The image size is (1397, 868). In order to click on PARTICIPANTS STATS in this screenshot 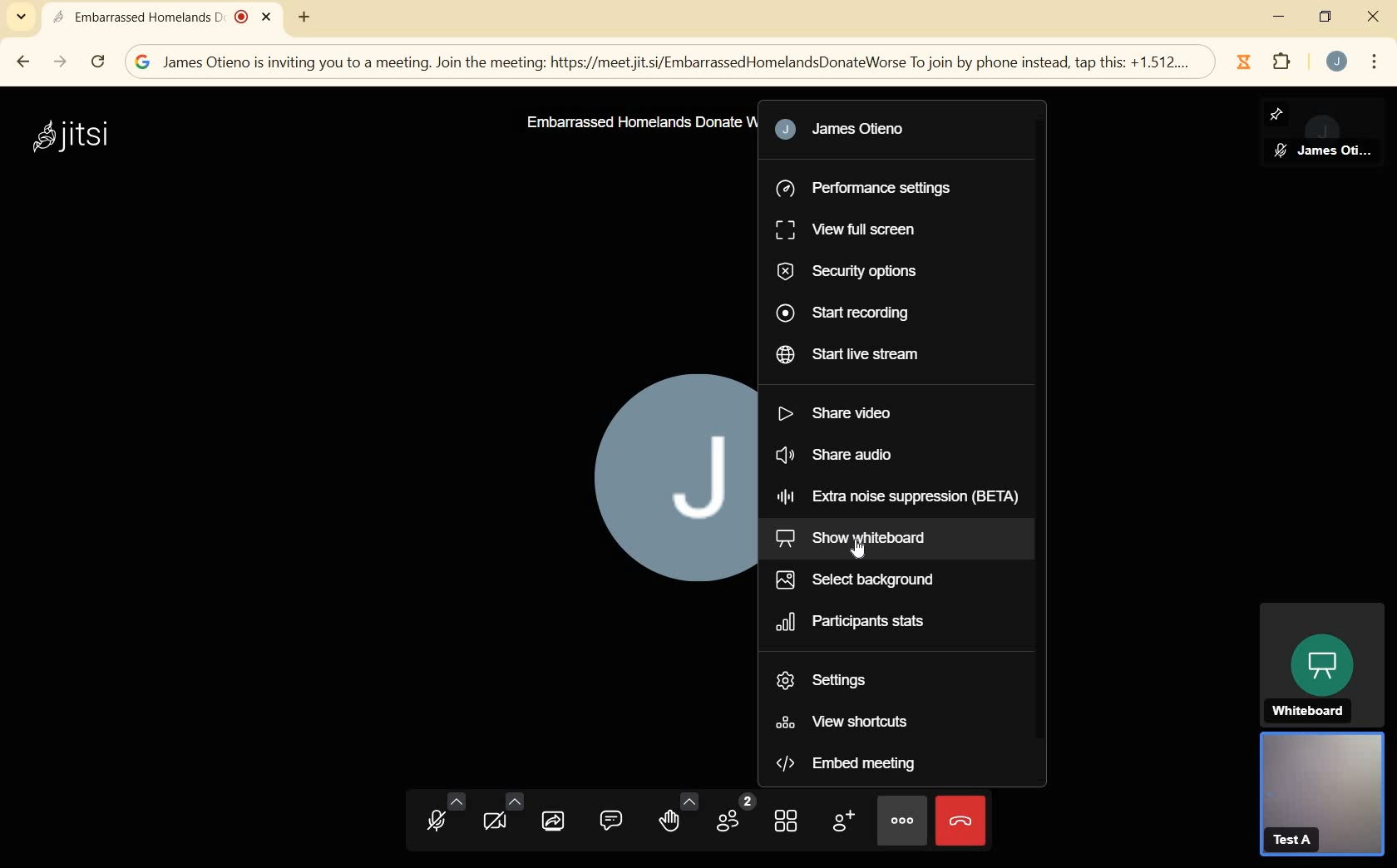, I will do `click(867, 623)`.